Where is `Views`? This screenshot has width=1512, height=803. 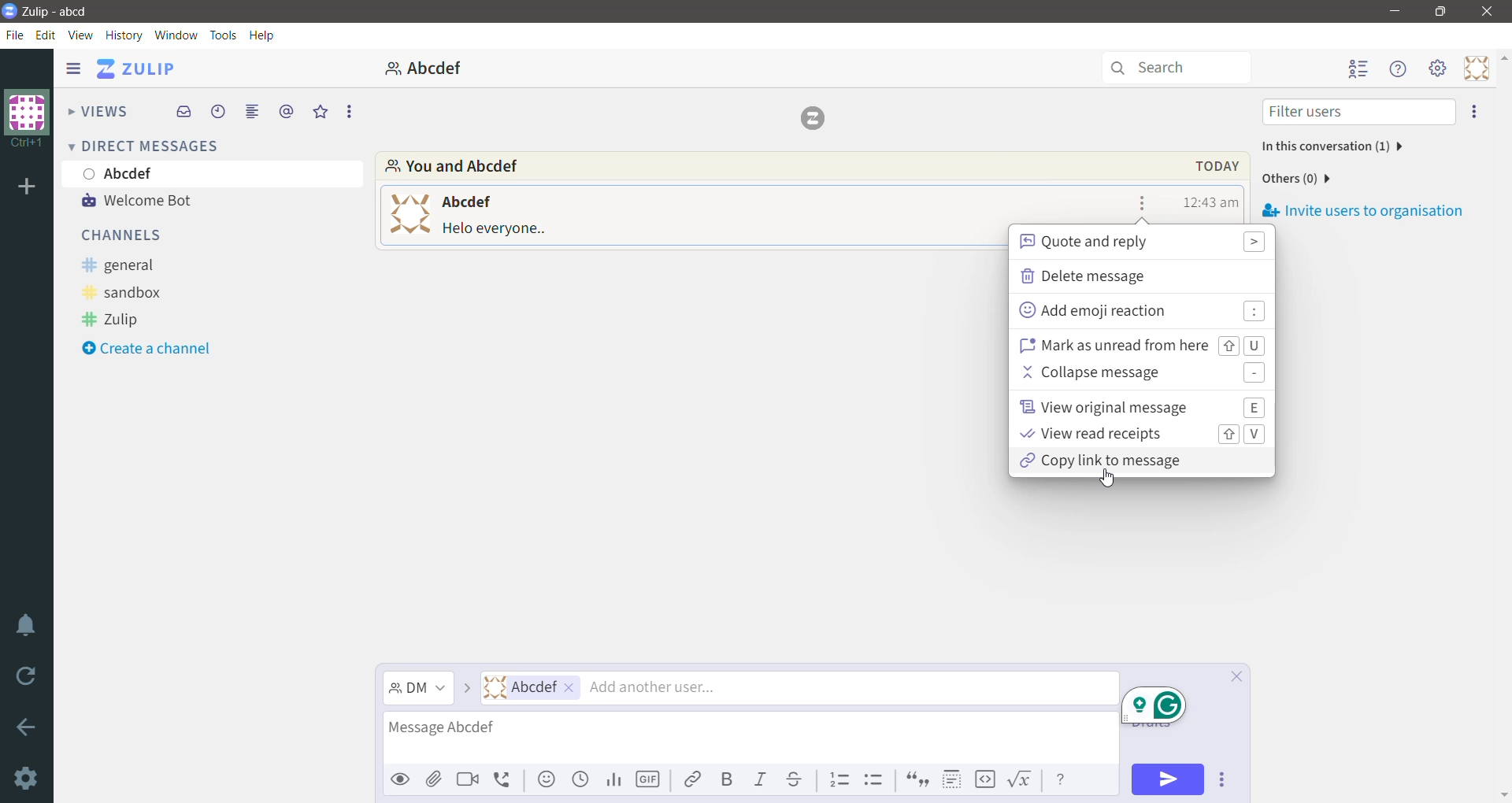
Views is located at coordinates (97, 109).